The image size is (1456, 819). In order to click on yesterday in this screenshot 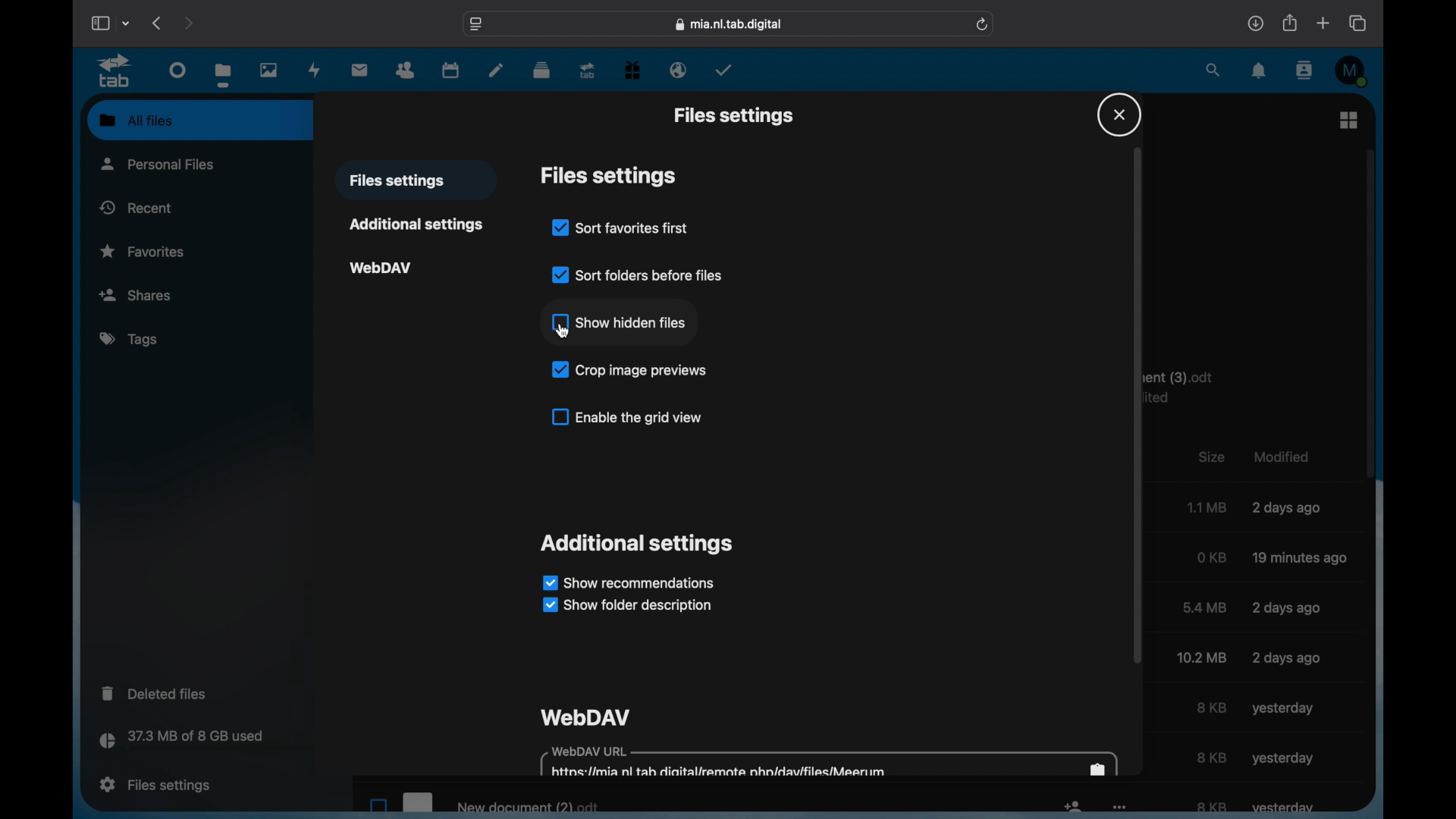, I will do `click(1283, 758)`.